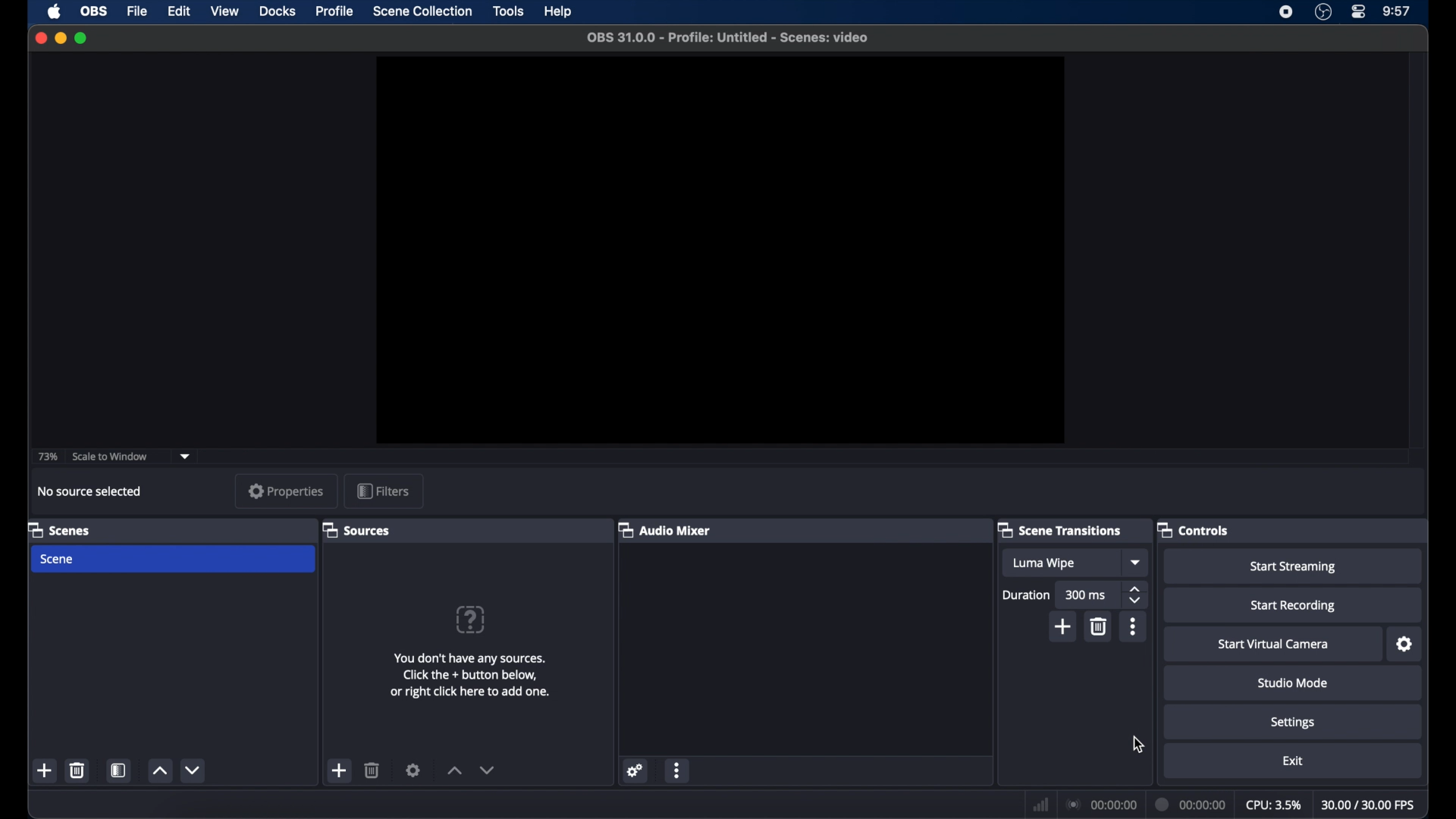 The image size is (1456, 819). What do you see at coordinates (455, 771) in the screenshot?
I see `increment` at bounding box center [455, 771].